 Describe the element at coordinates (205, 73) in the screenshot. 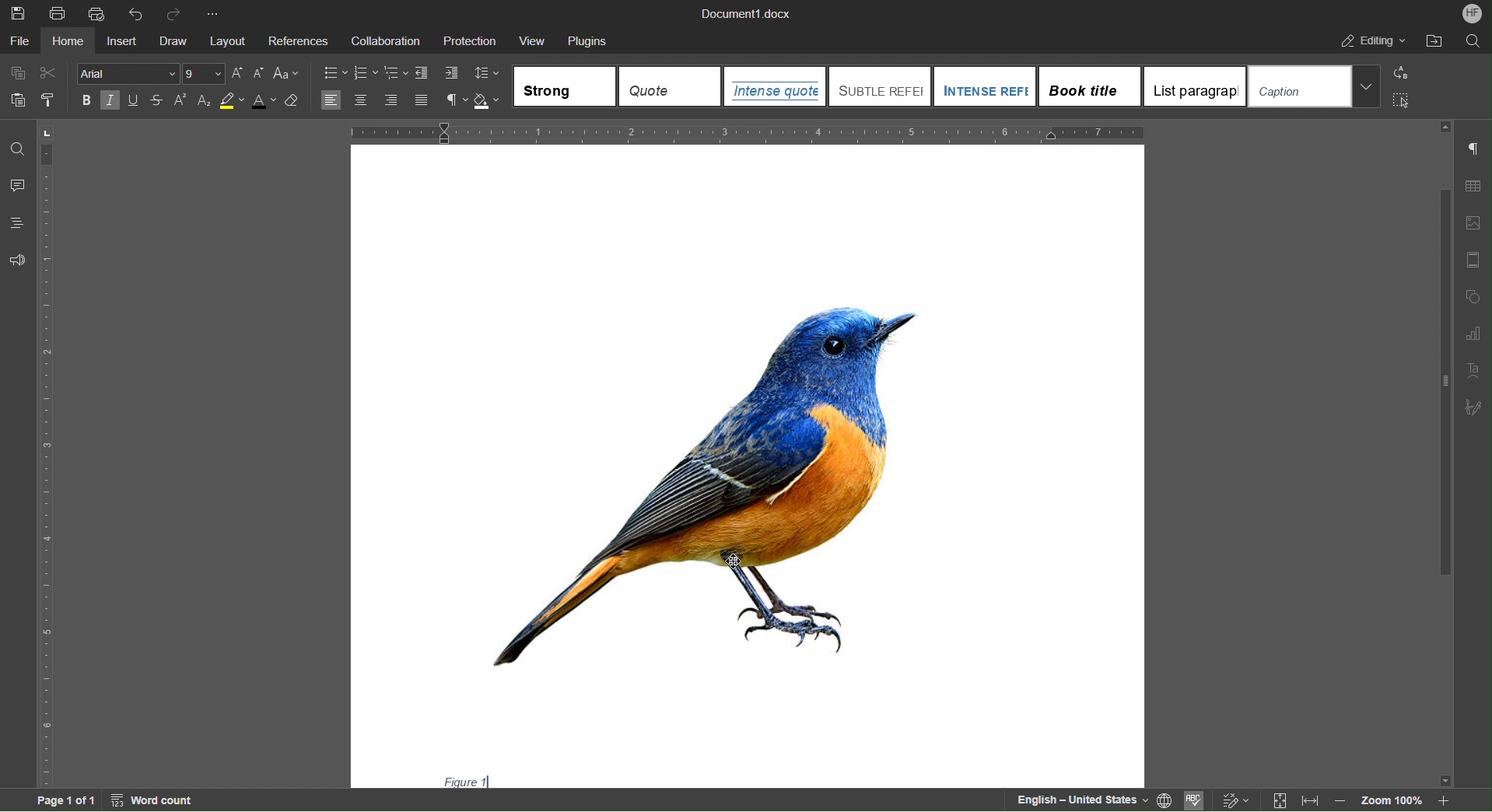

I see `Font size` at that location.